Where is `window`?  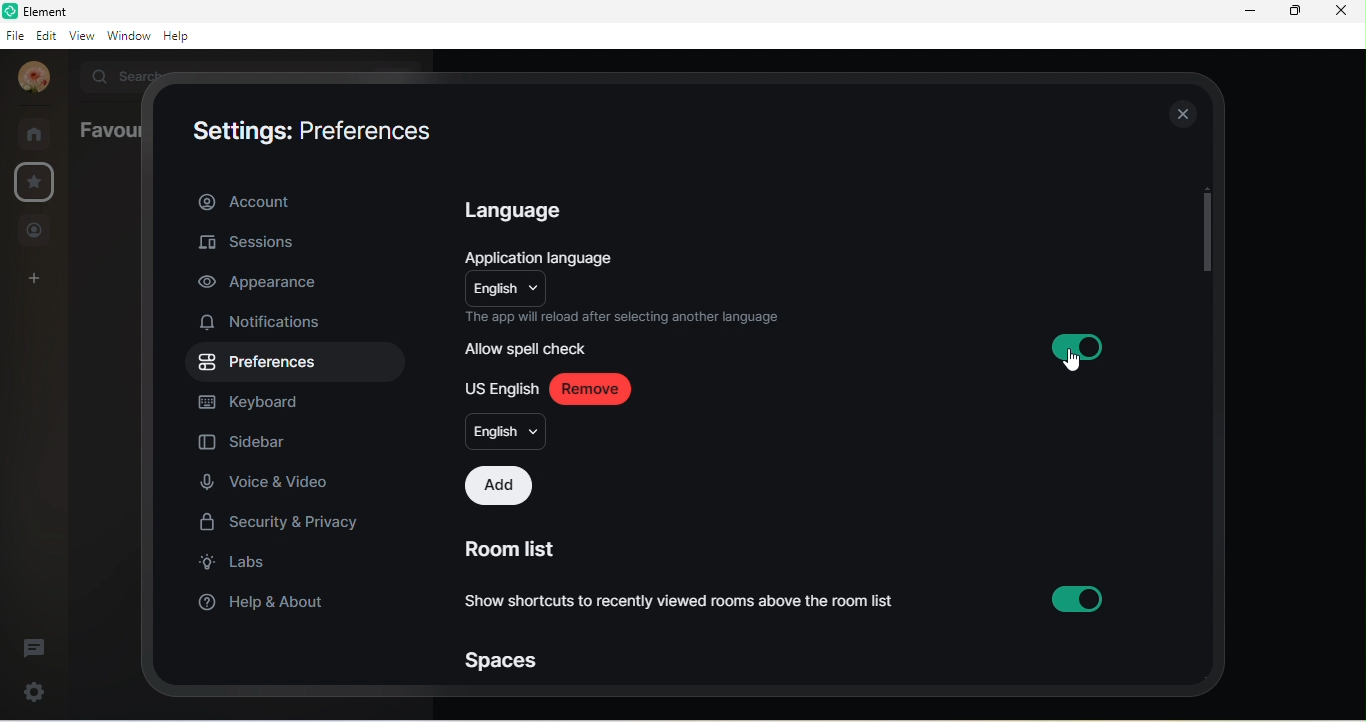
window is located at coordinates (129, 35).